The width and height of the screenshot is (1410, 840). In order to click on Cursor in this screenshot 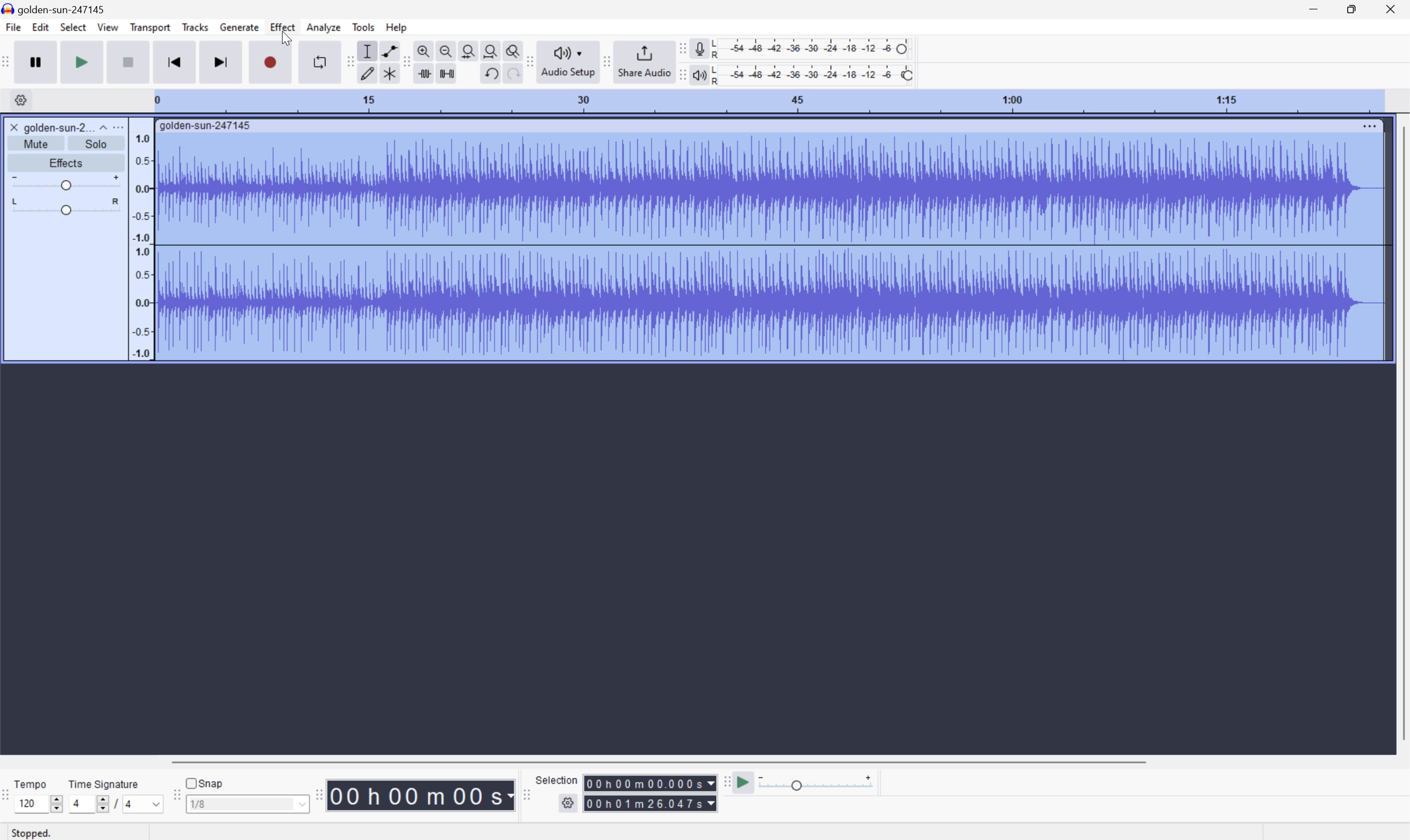, I will do `click(287, 37)`.